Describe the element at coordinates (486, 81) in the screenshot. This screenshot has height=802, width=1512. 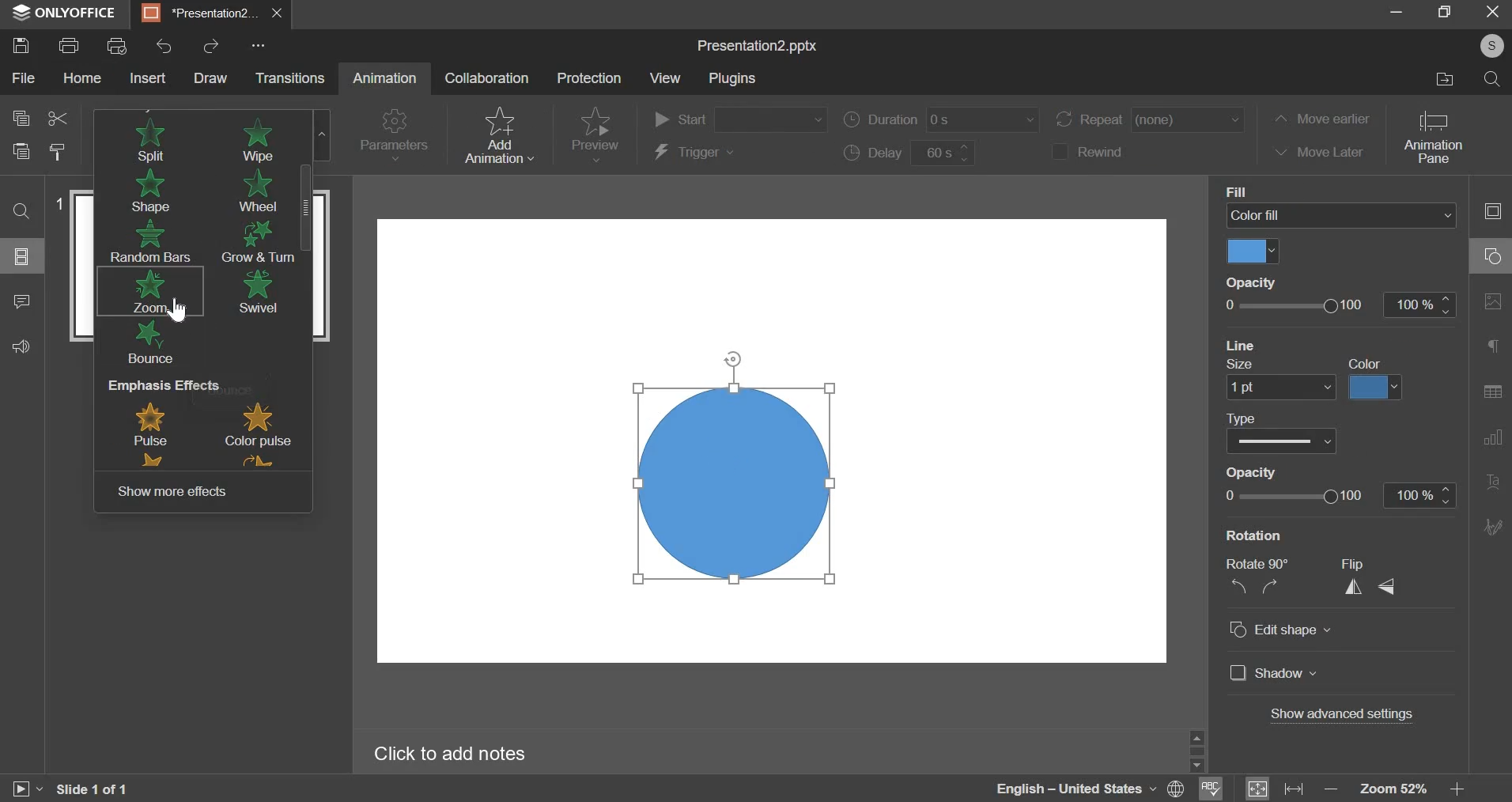
I see `Collaboration` at that location.